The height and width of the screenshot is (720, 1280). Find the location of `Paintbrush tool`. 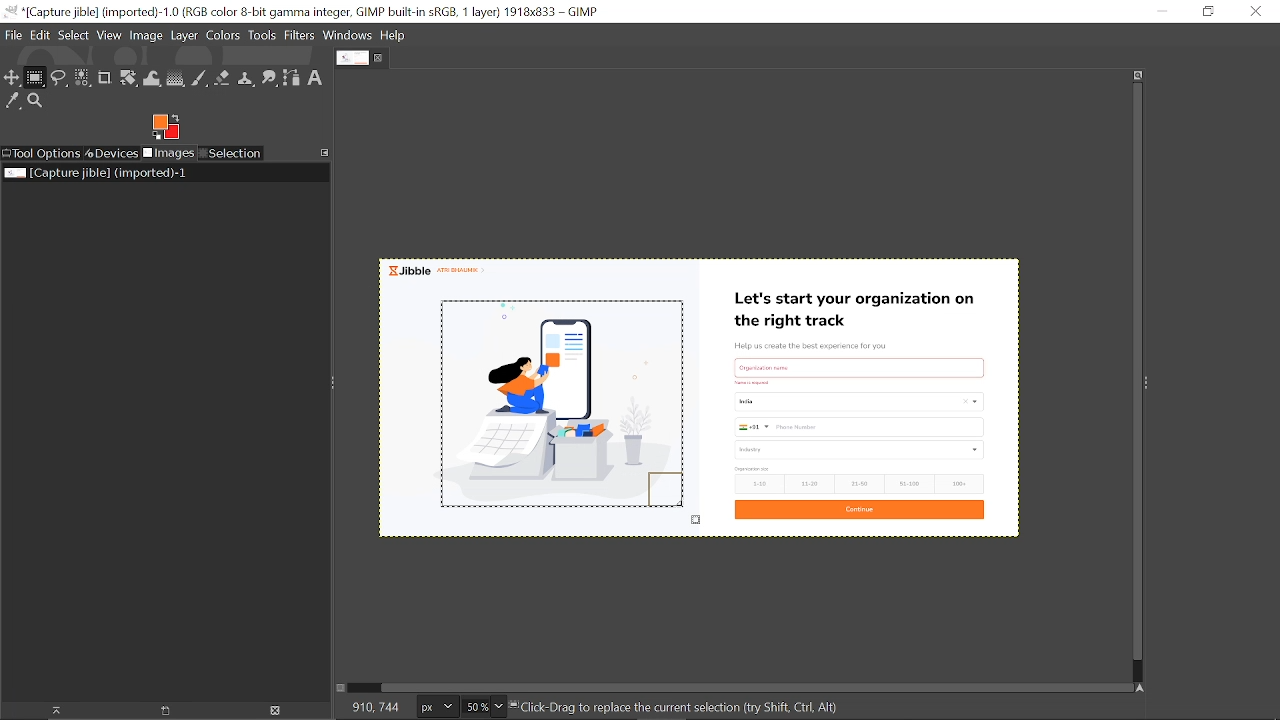

Paintbrush tool is located at coordinates (200, 78).